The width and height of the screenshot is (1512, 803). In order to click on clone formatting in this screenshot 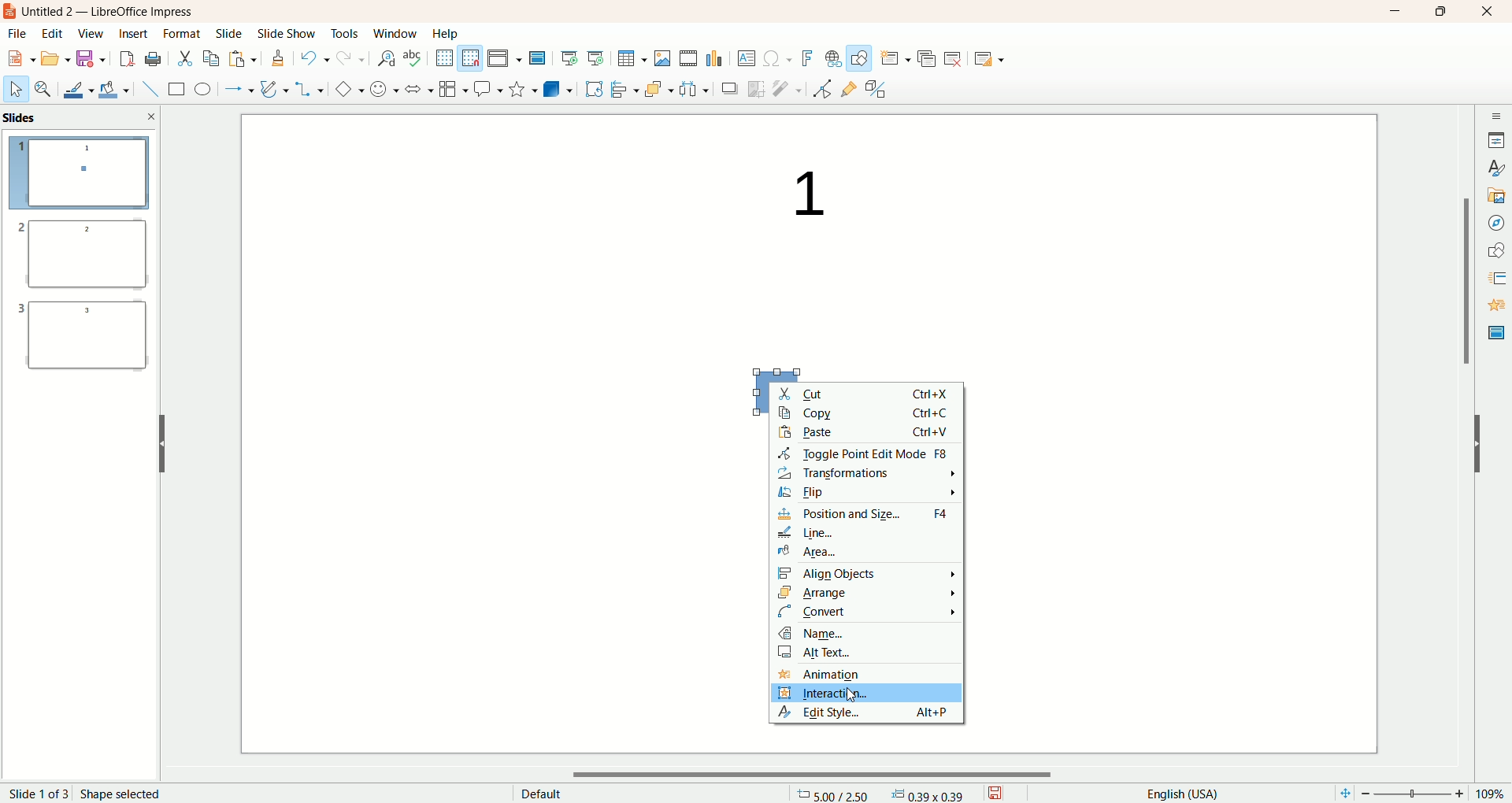, I will do `click(276, 59)`.